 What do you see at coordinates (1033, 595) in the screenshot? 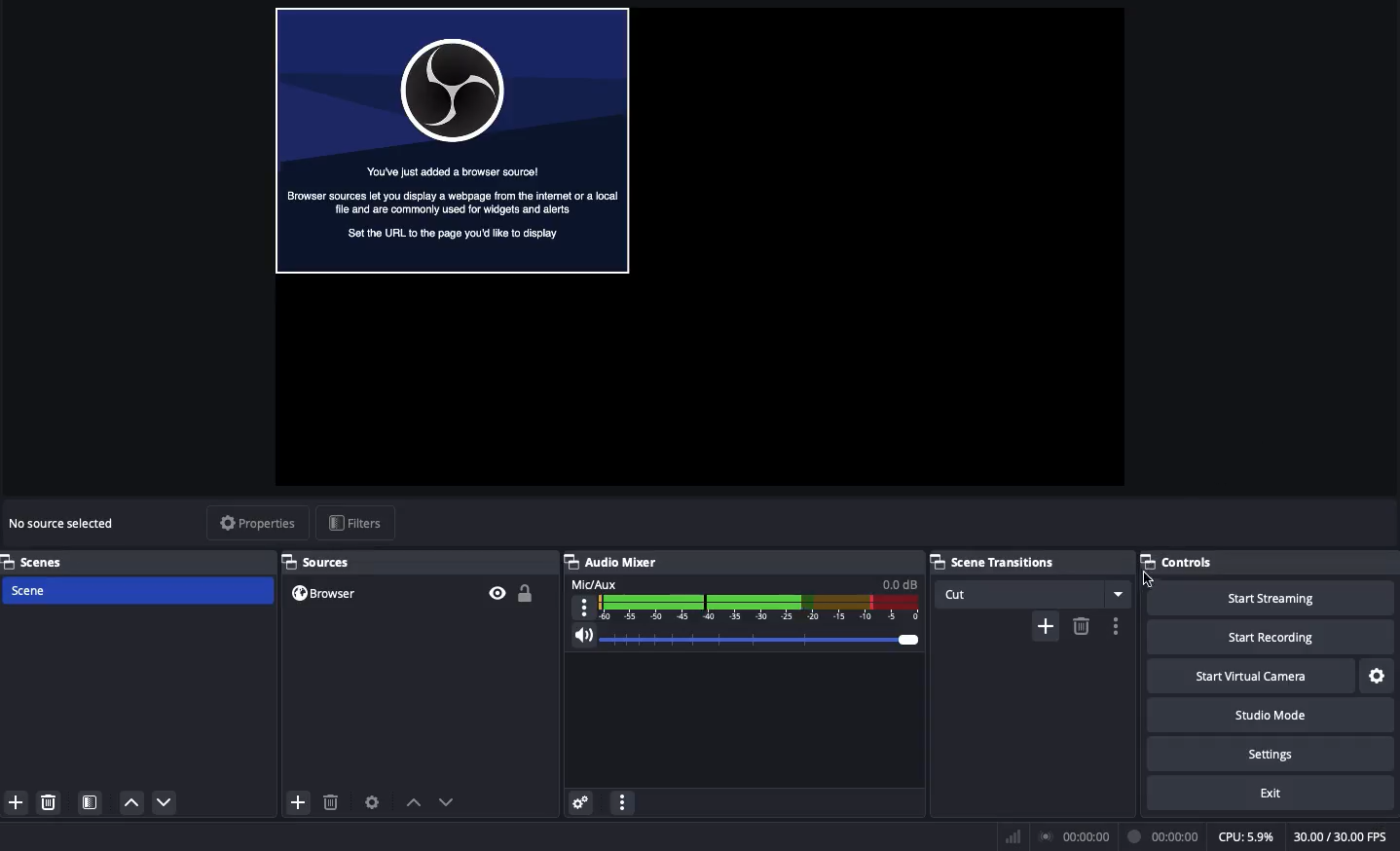
I see `Cut` at bounding box center [1033, 595].